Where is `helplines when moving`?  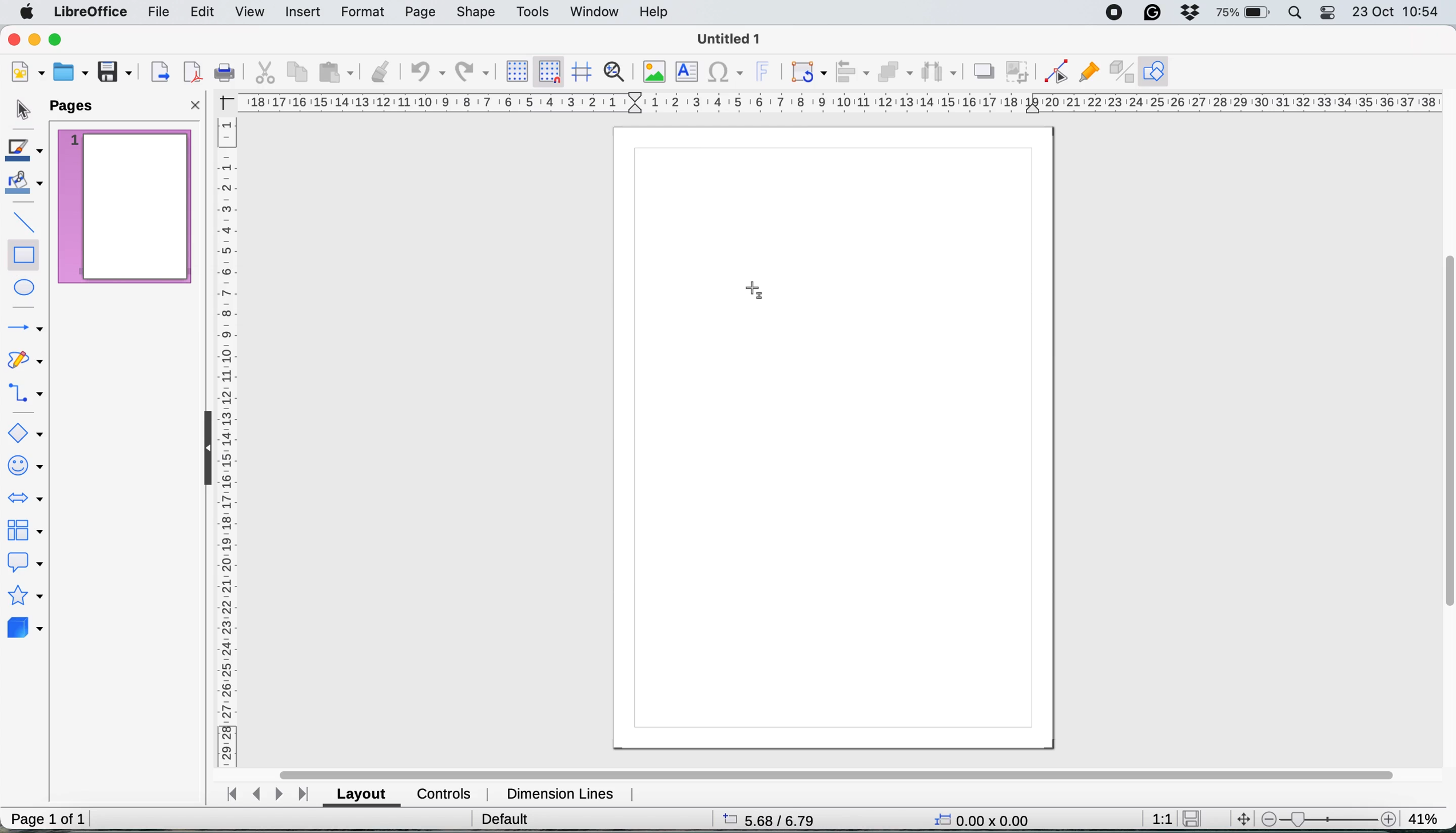
helplines when moving is located at coordinates (583, 73).